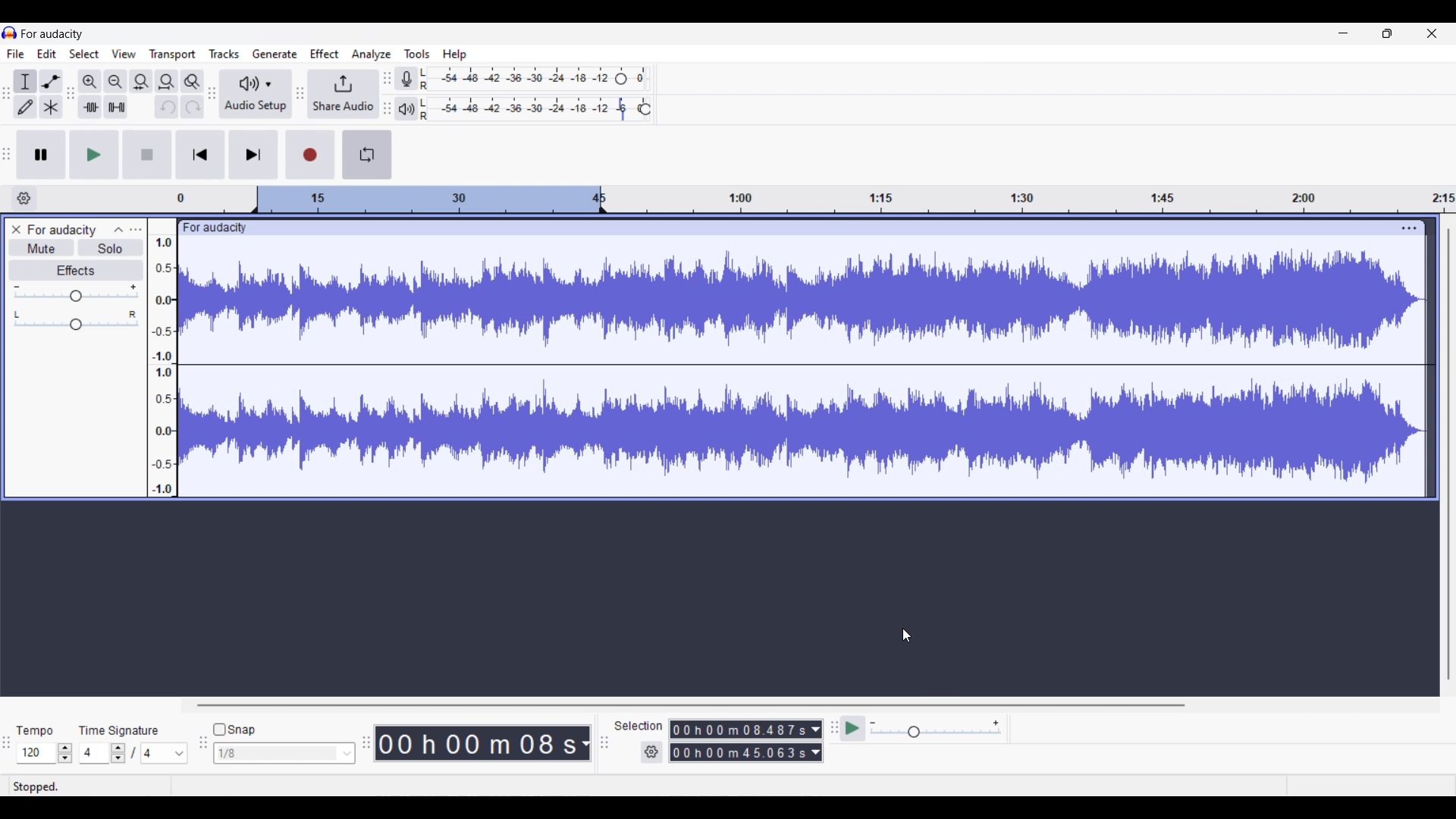  Describe the element at coordinates (168, 82) in the screenshot. I see `Fit project to width` at that location.